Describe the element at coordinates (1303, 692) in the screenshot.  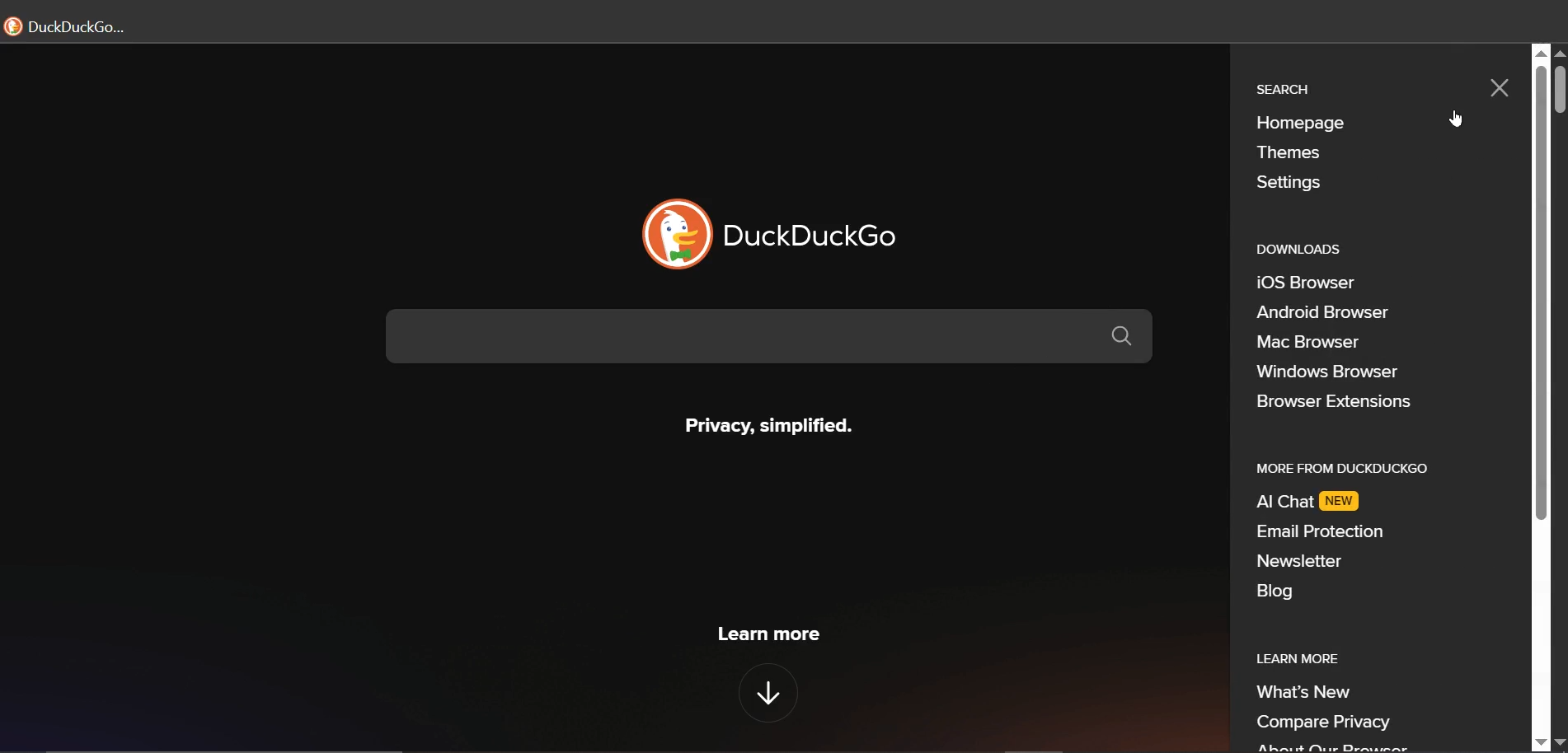
I see `What's New` at that location.